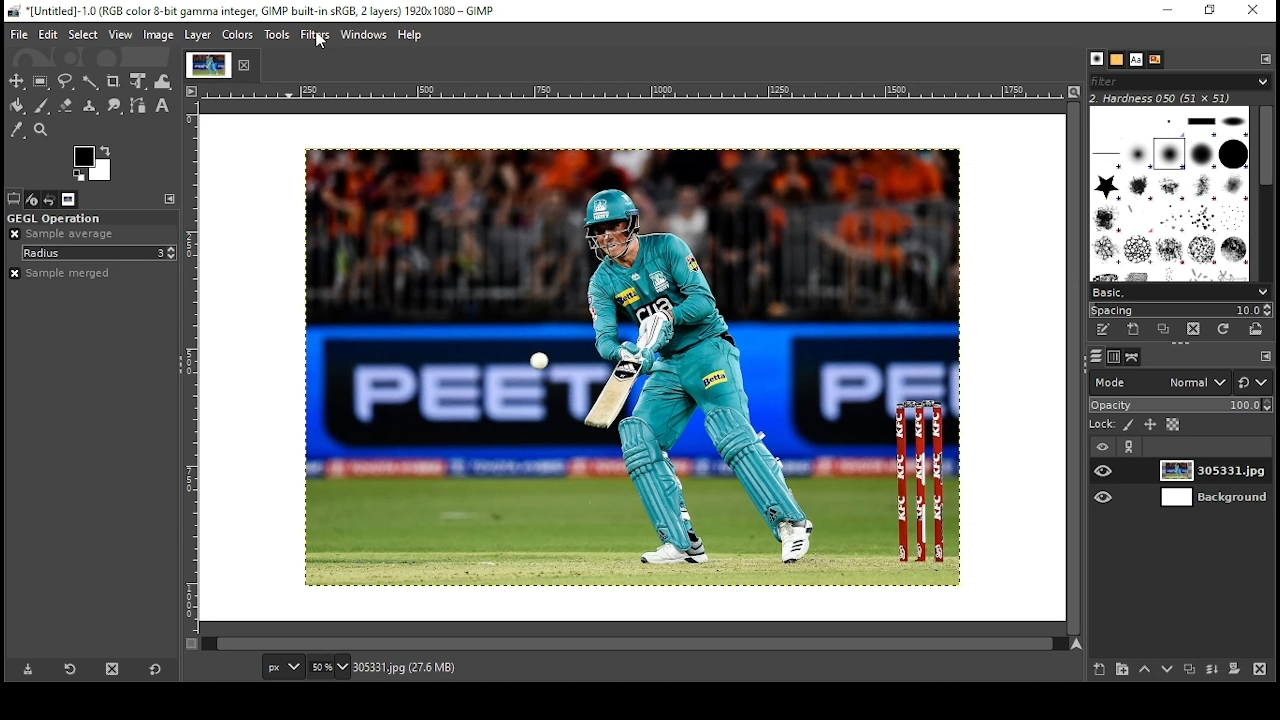 The image size is (1280, 720). Describe the element at coordinates (100, 253) in the screenshot. I see `radius` at that location.